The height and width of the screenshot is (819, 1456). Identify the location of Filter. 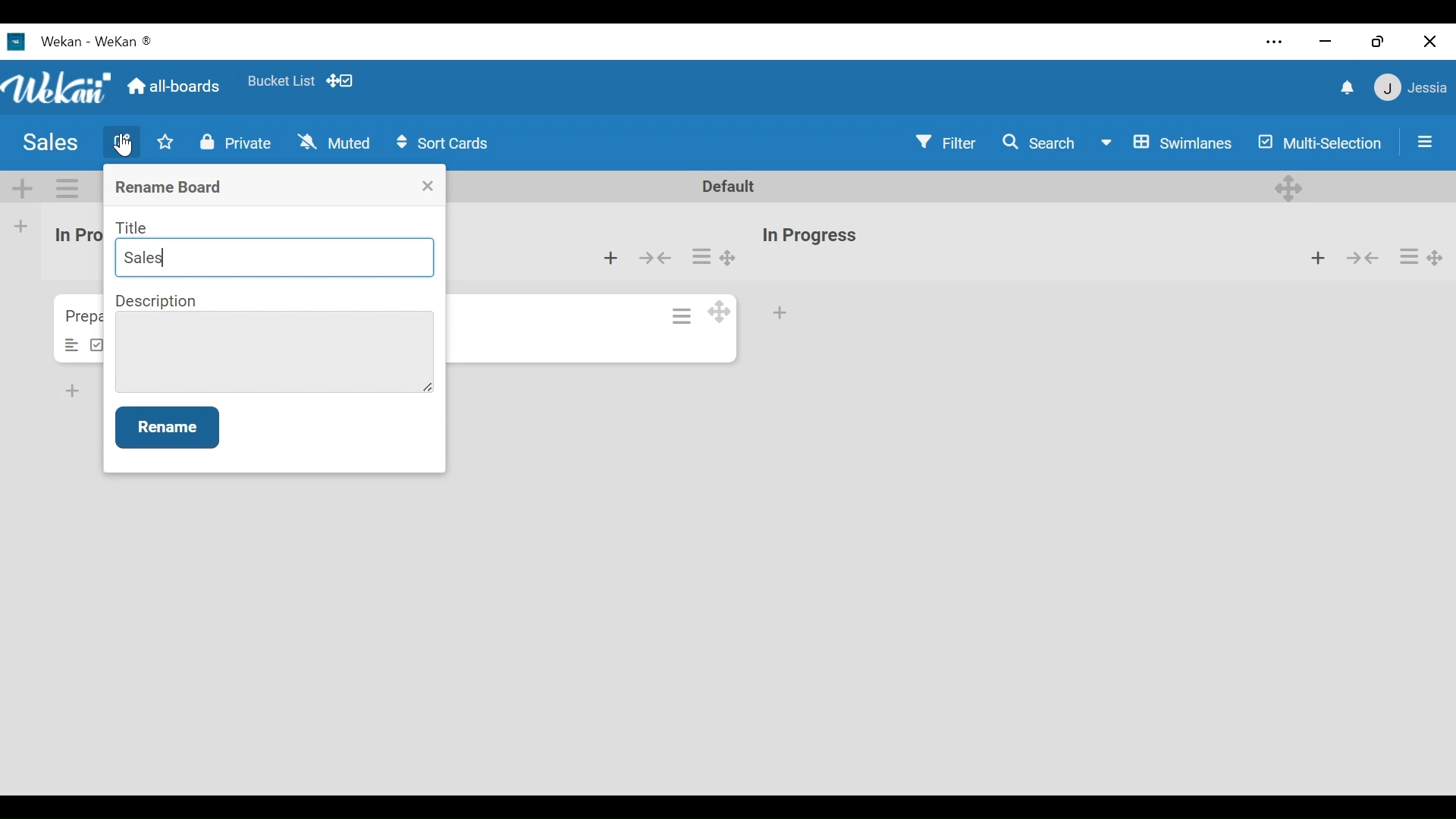
(945, 142).